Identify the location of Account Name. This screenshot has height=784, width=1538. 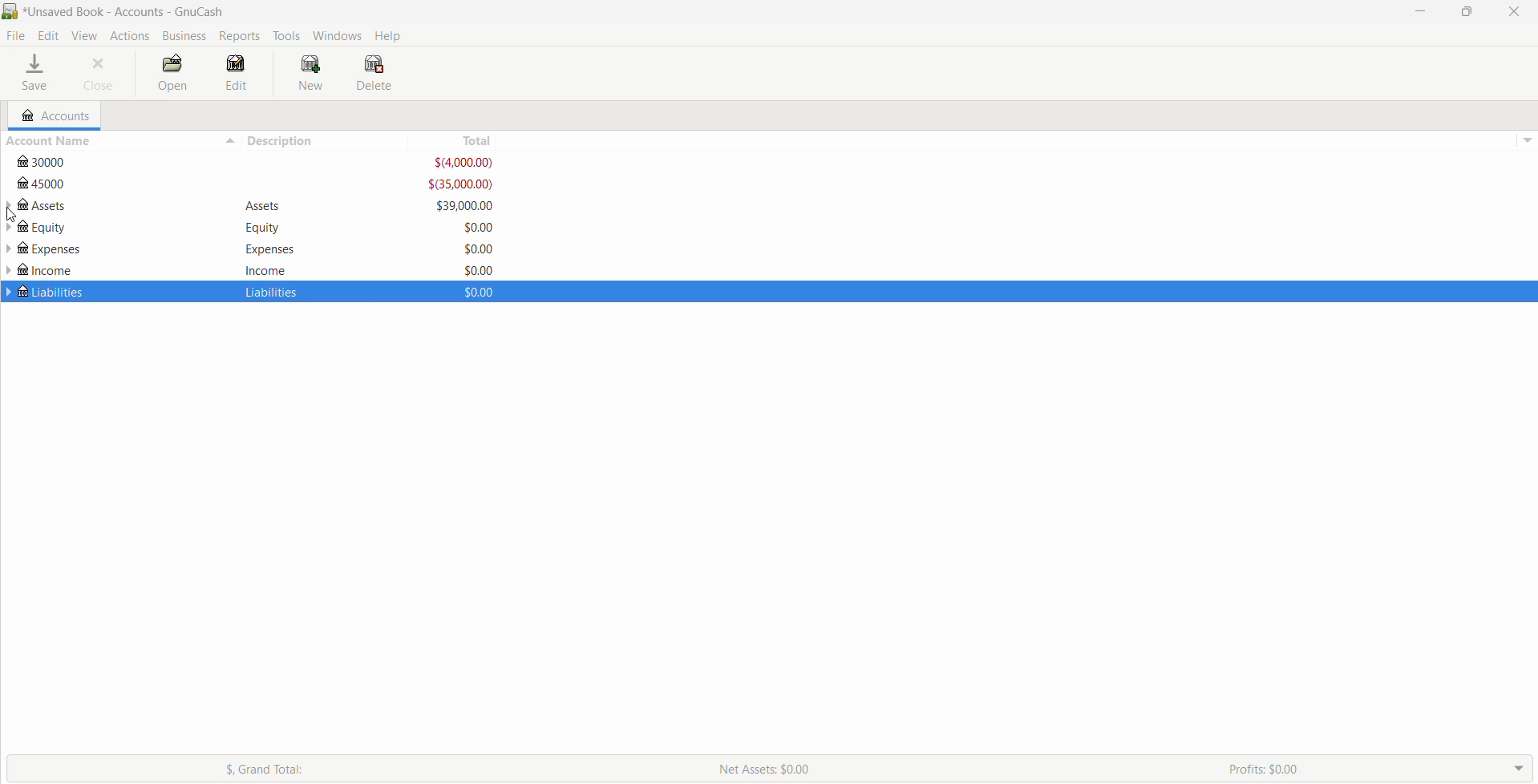
(120, 141).